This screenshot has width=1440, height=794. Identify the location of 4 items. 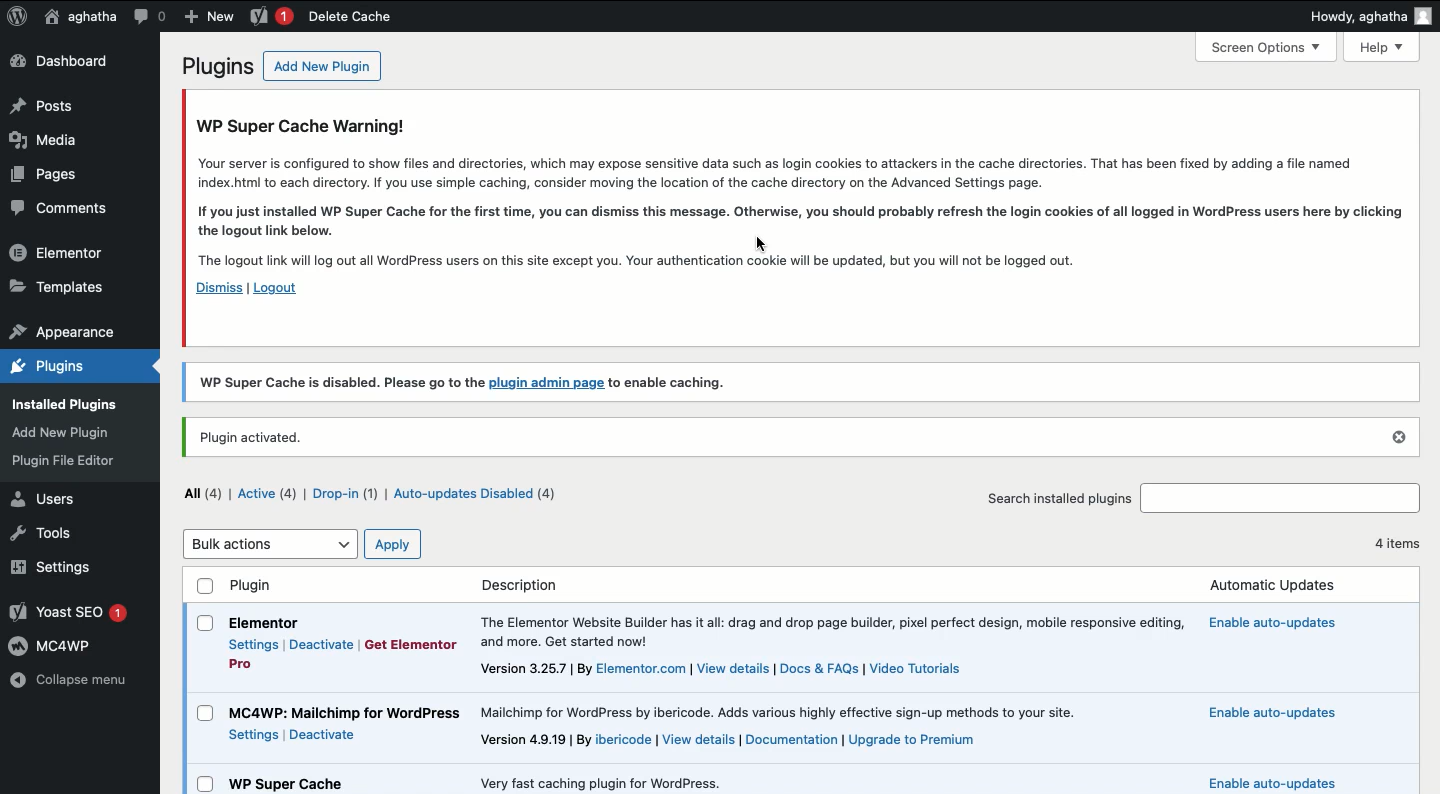
(1390, 546).